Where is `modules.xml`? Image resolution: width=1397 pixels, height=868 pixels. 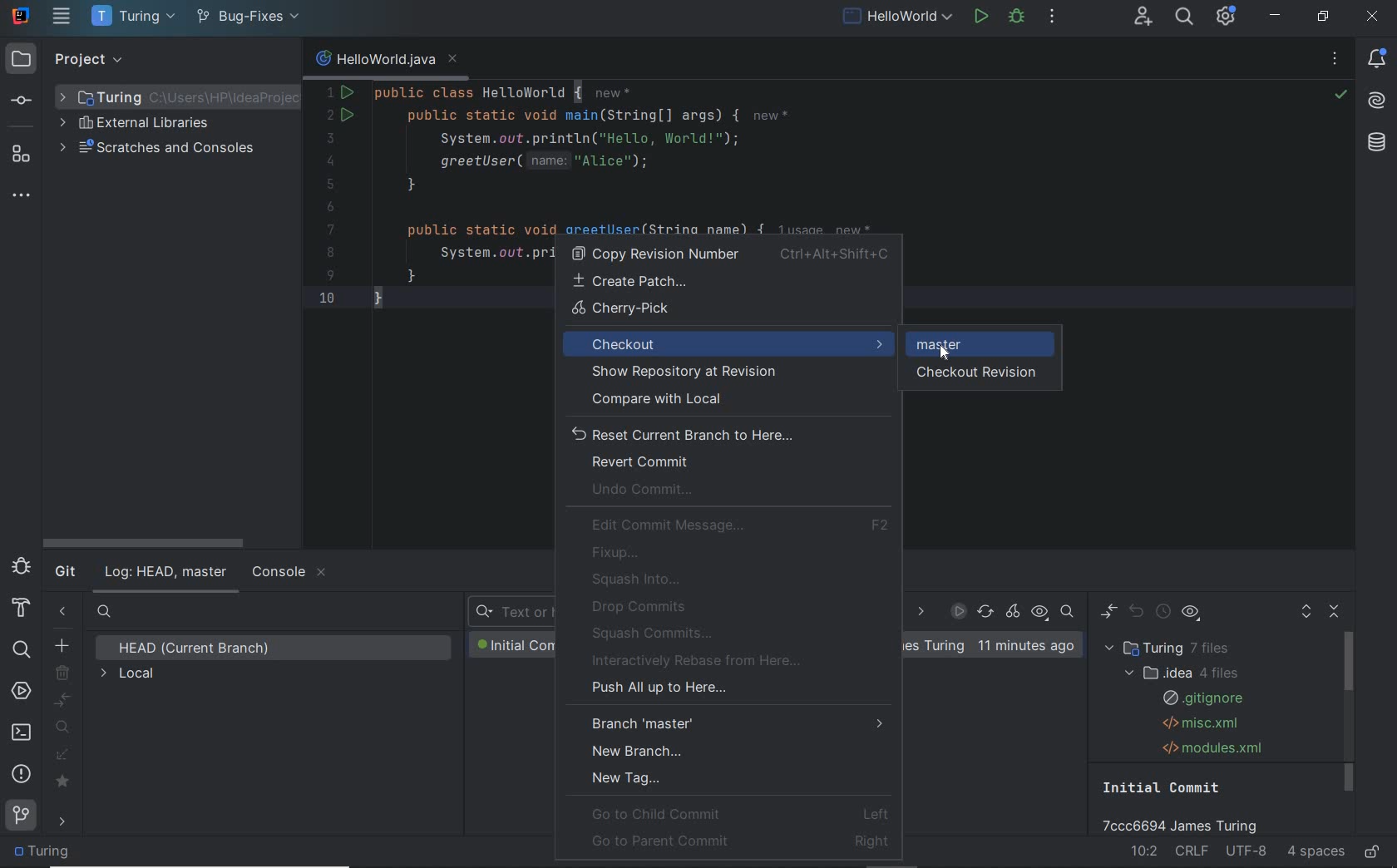
modules.xml is located at coordinates (1214, 747).